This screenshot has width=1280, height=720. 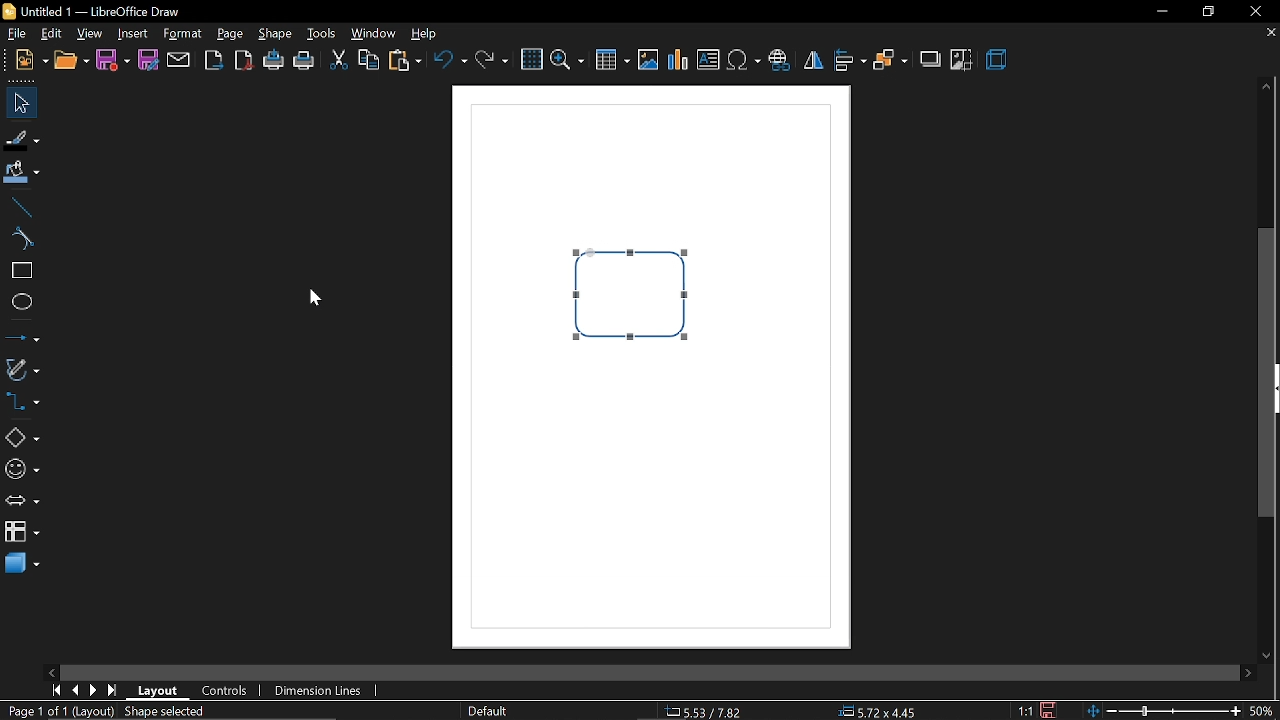 What do you see at coordinates (338, 62) in the screenshot?
I see `cut ` at bounding box center [338, 62].